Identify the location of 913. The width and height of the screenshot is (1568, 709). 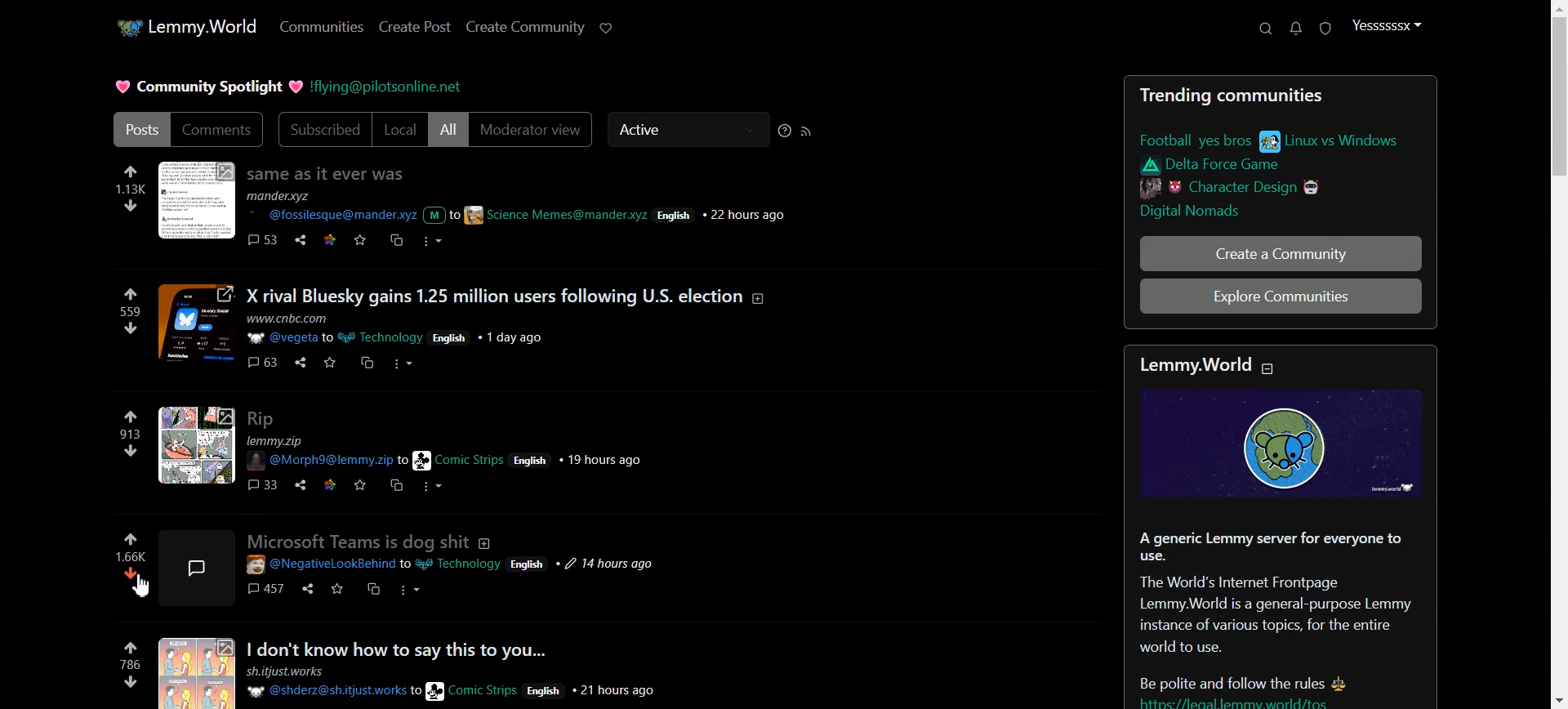
(129, 435).